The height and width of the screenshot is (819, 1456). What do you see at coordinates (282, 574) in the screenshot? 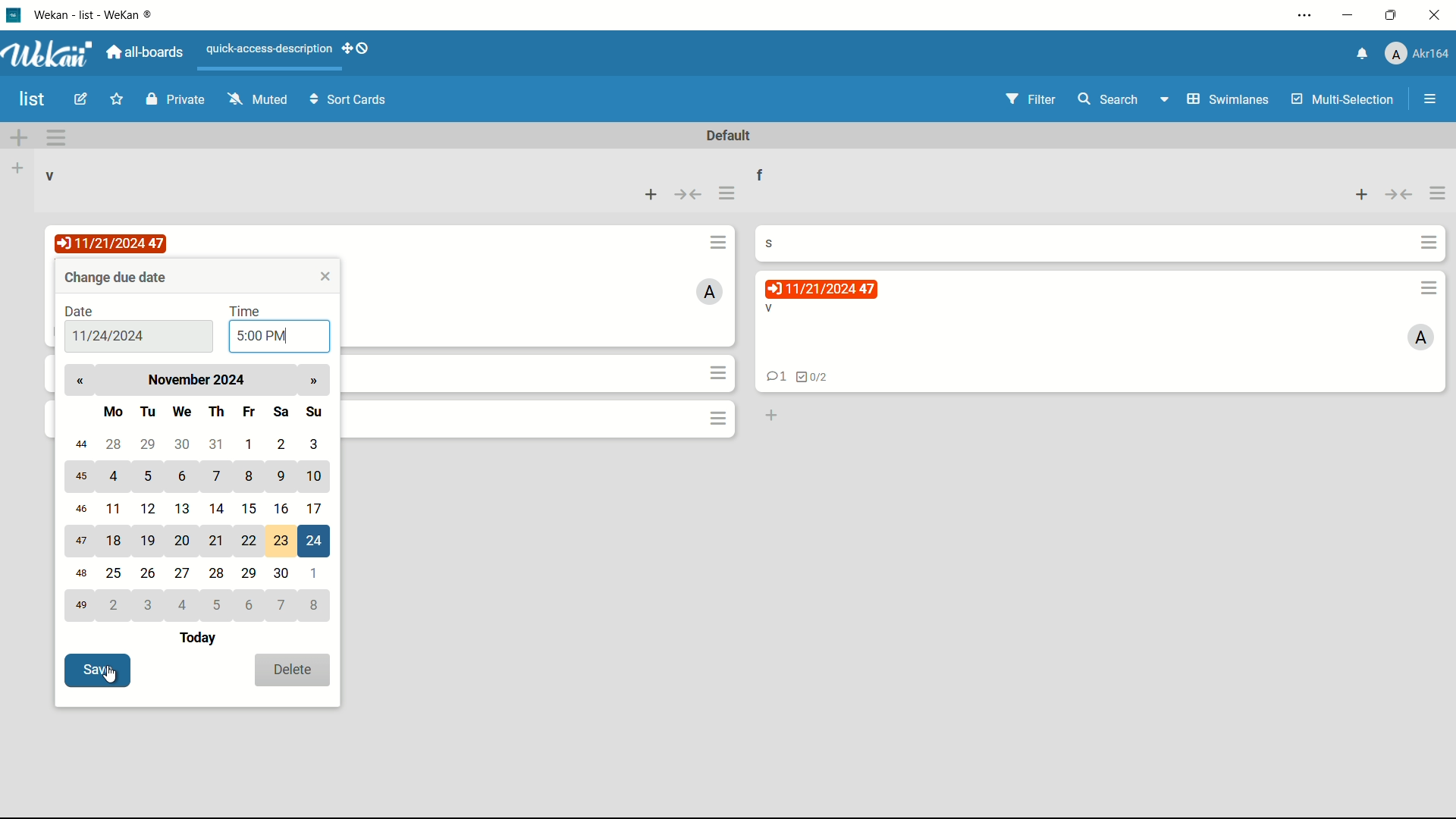
I see `30` at bounding box center [282, 574].